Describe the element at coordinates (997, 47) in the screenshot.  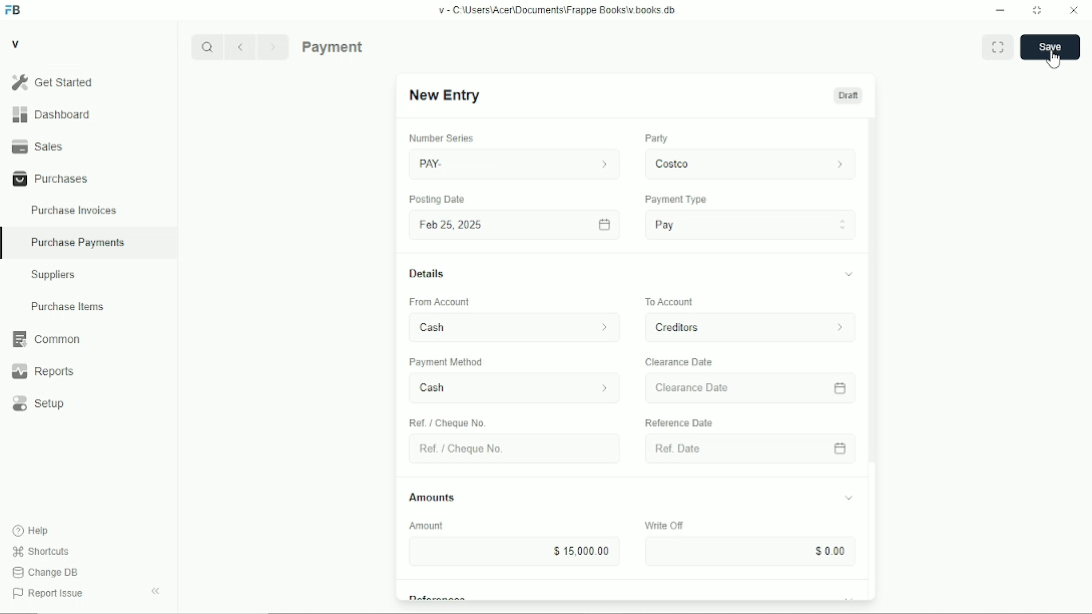
I see `Toggle between form and full width` at that location.